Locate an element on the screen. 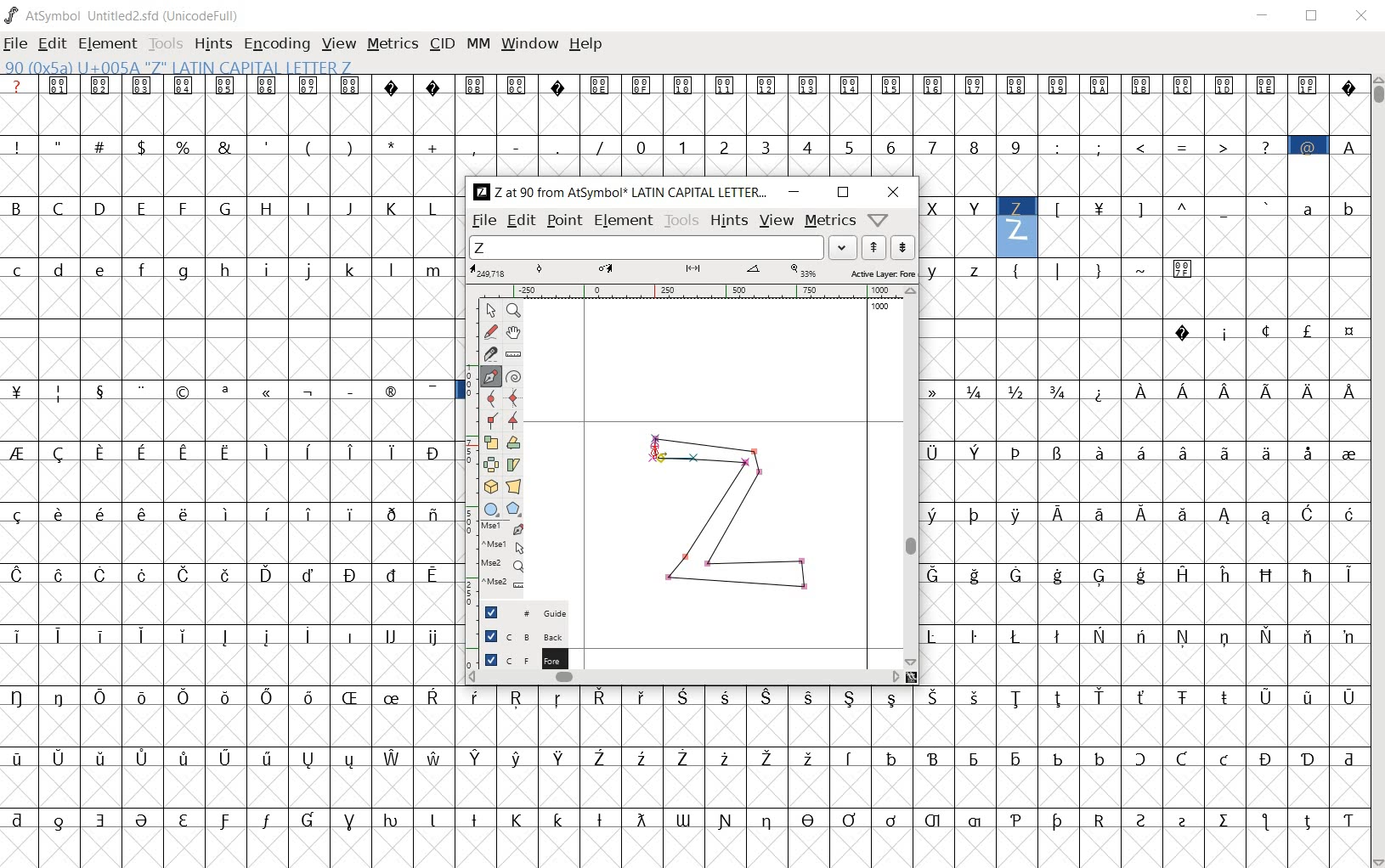 This screenshot has width=1385, height=868. window is located at coordinates (529, 44).